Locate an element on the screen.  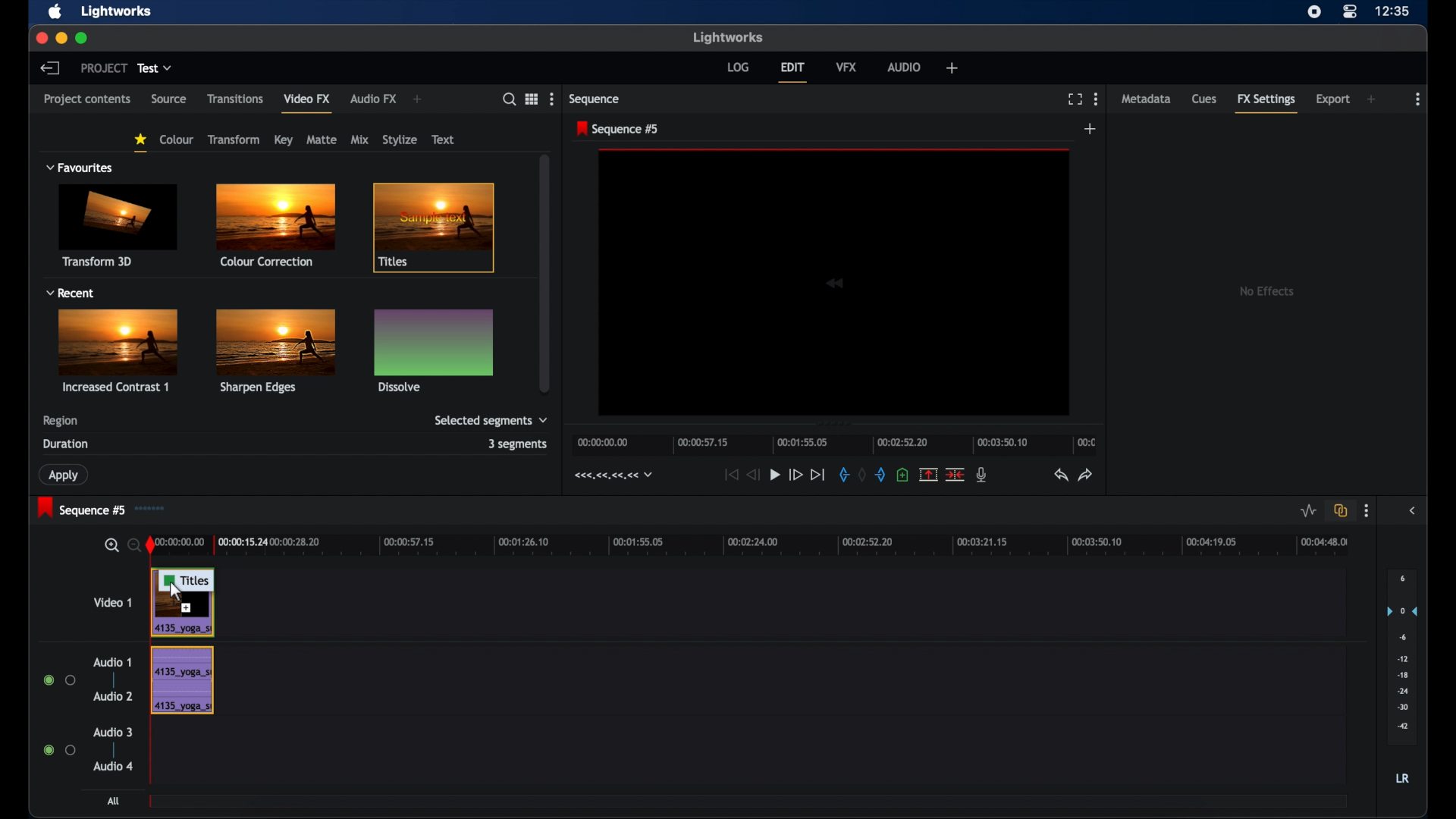
color corrections is located at coordinates (275, 226).